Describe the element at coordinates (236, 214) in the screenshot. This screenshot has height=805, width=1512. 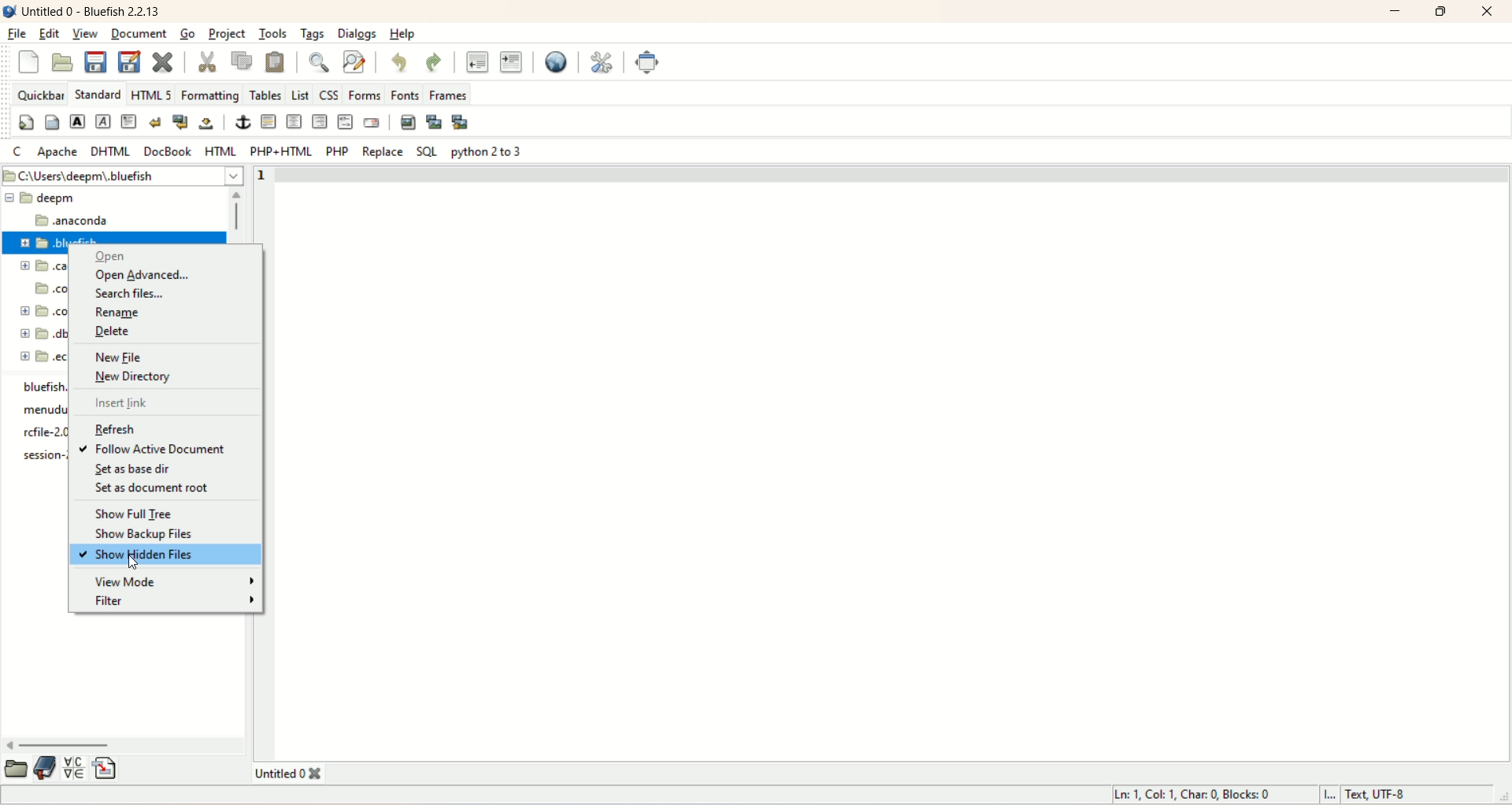
I see `vertical scroll bar` at that location.